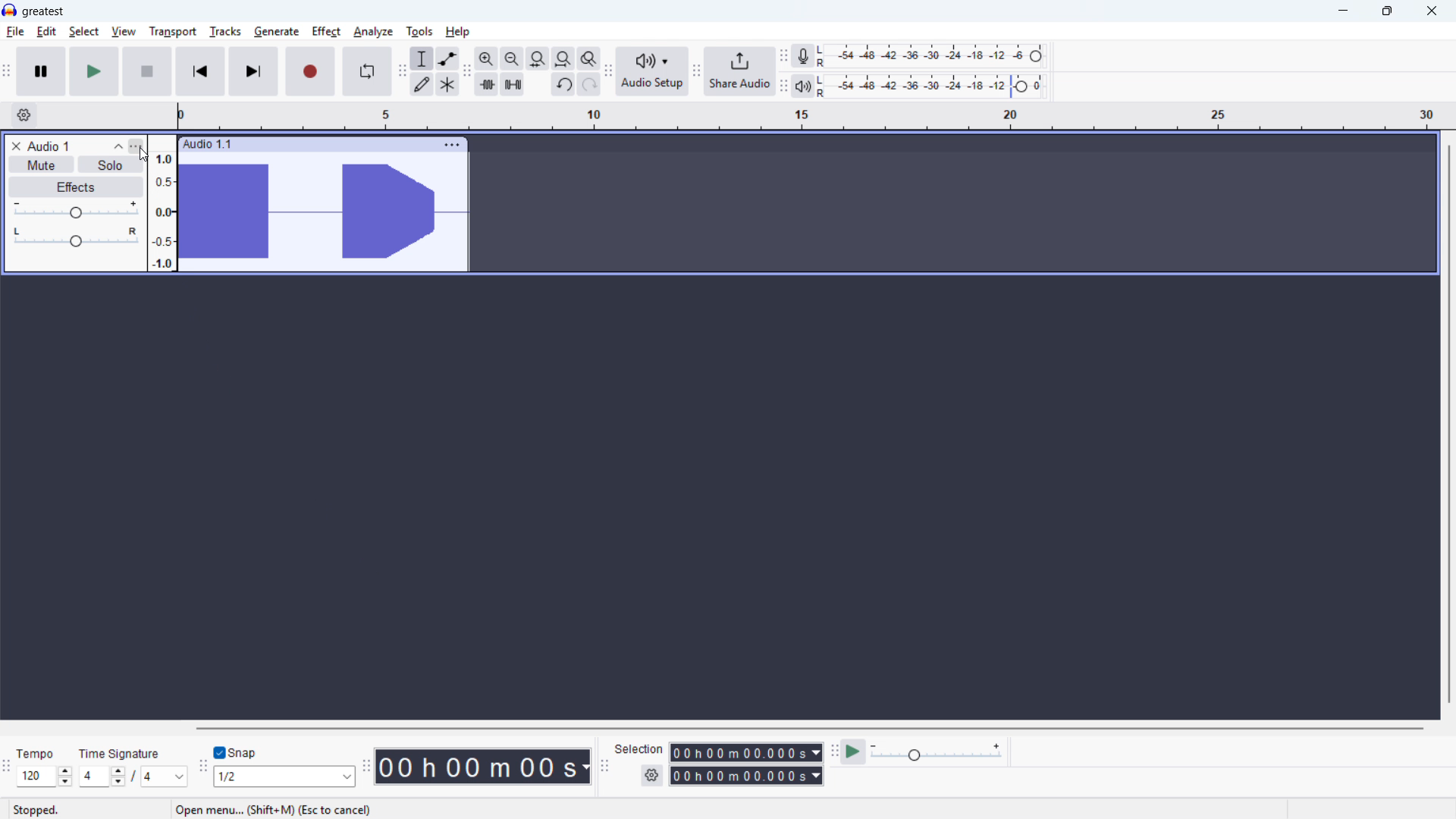 Image resolution: width=1456 pixels, height=819 pixels. I want to click on track title, so click(50, 146).